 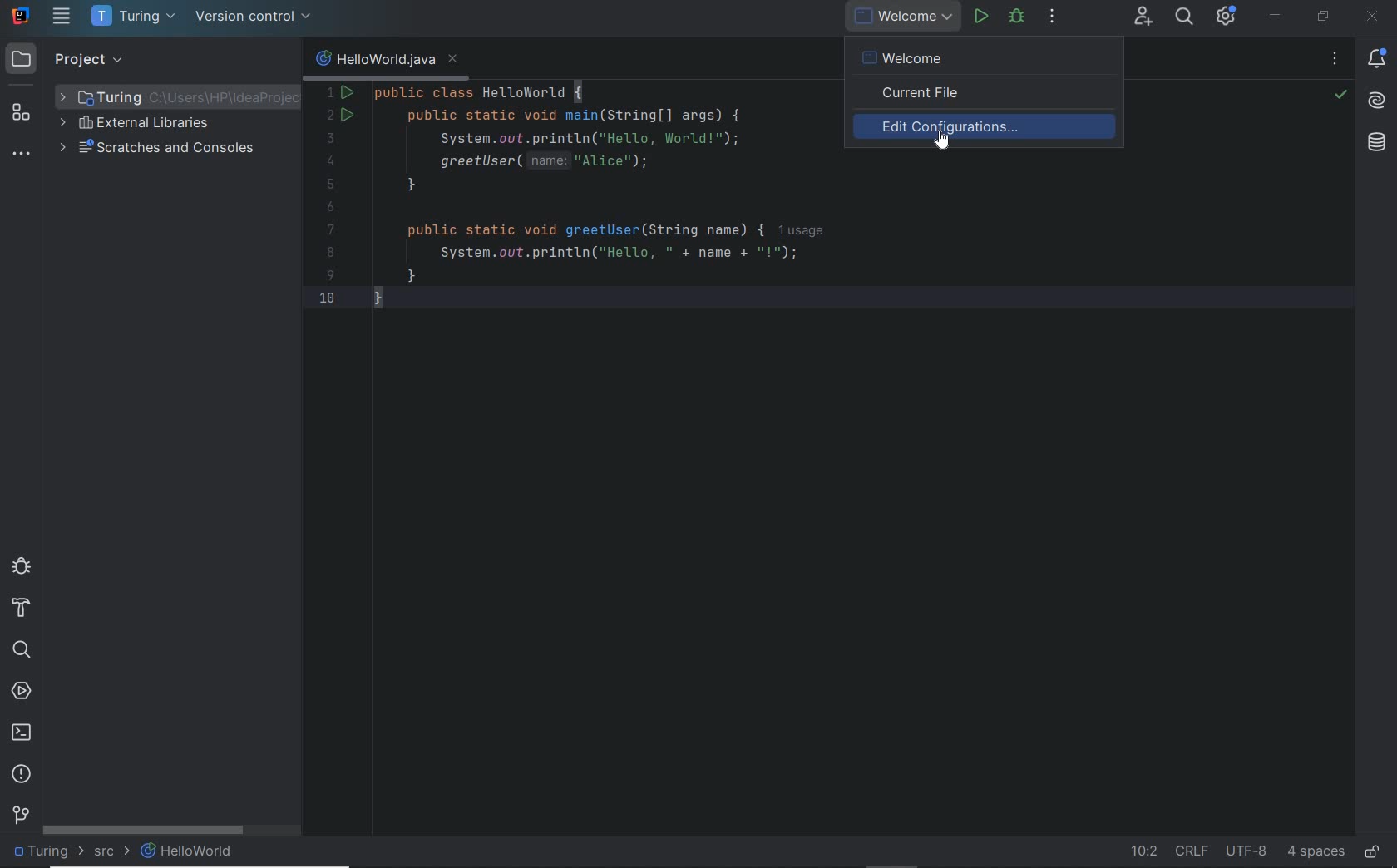 I want to click on RESTORE DOWN, so click(x=1324, y=16).